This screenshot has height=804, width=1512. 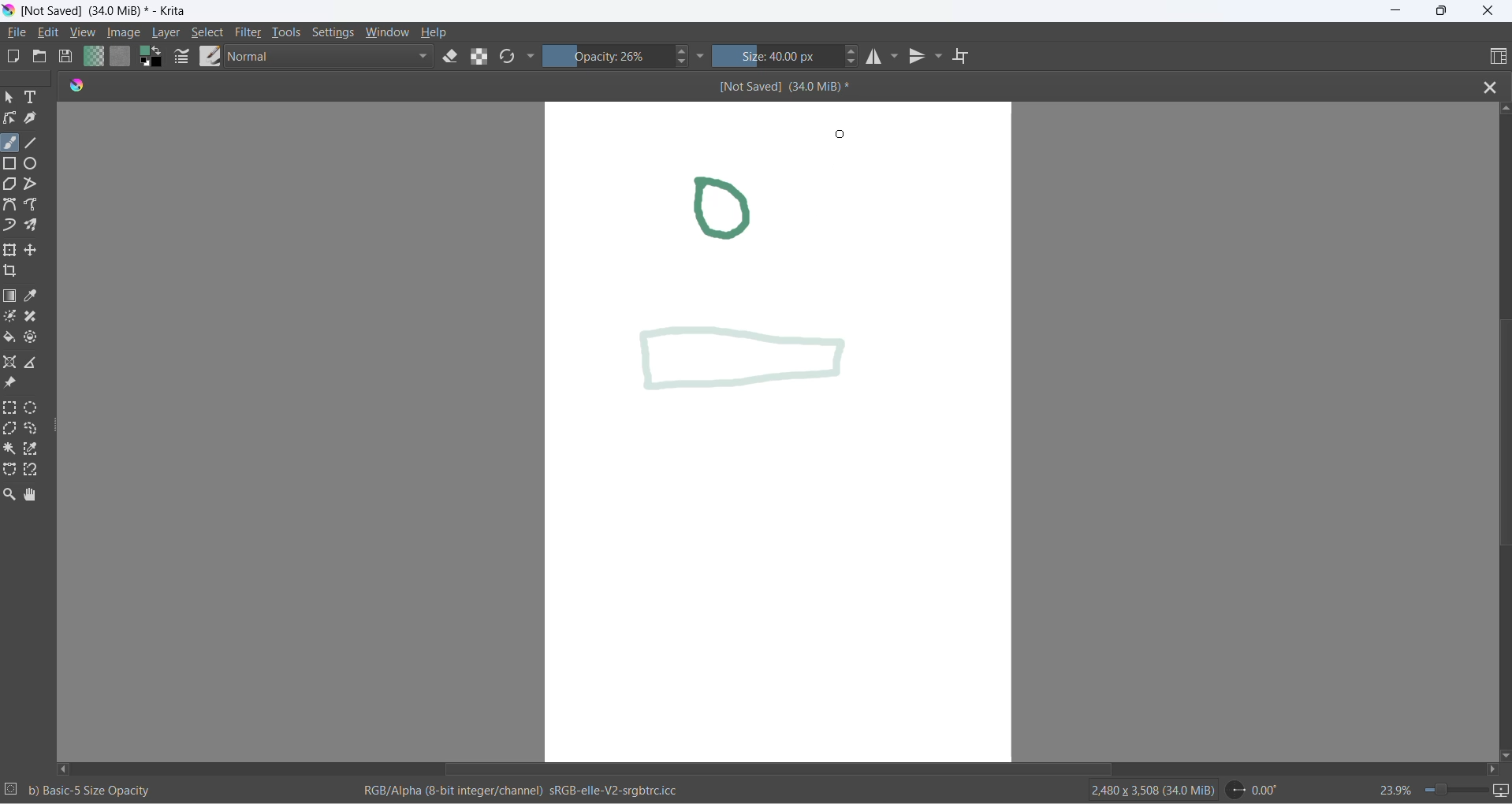 What do you see at coordinates (251, 34) in the screenshot?
I see `filters` at bounding box center [251, 34].